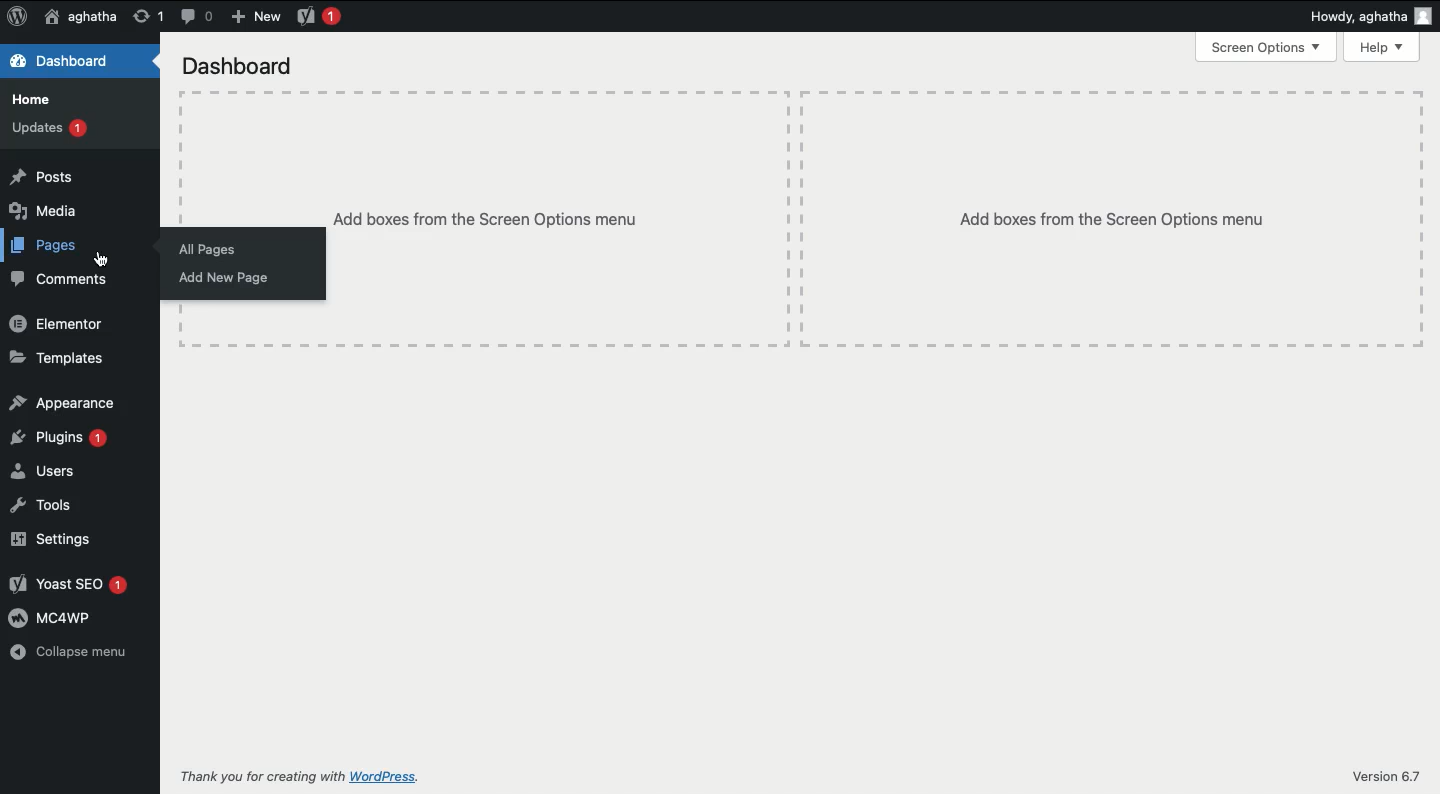  I want to click on Add boxes from the Screen options menu, so click(874, 219).